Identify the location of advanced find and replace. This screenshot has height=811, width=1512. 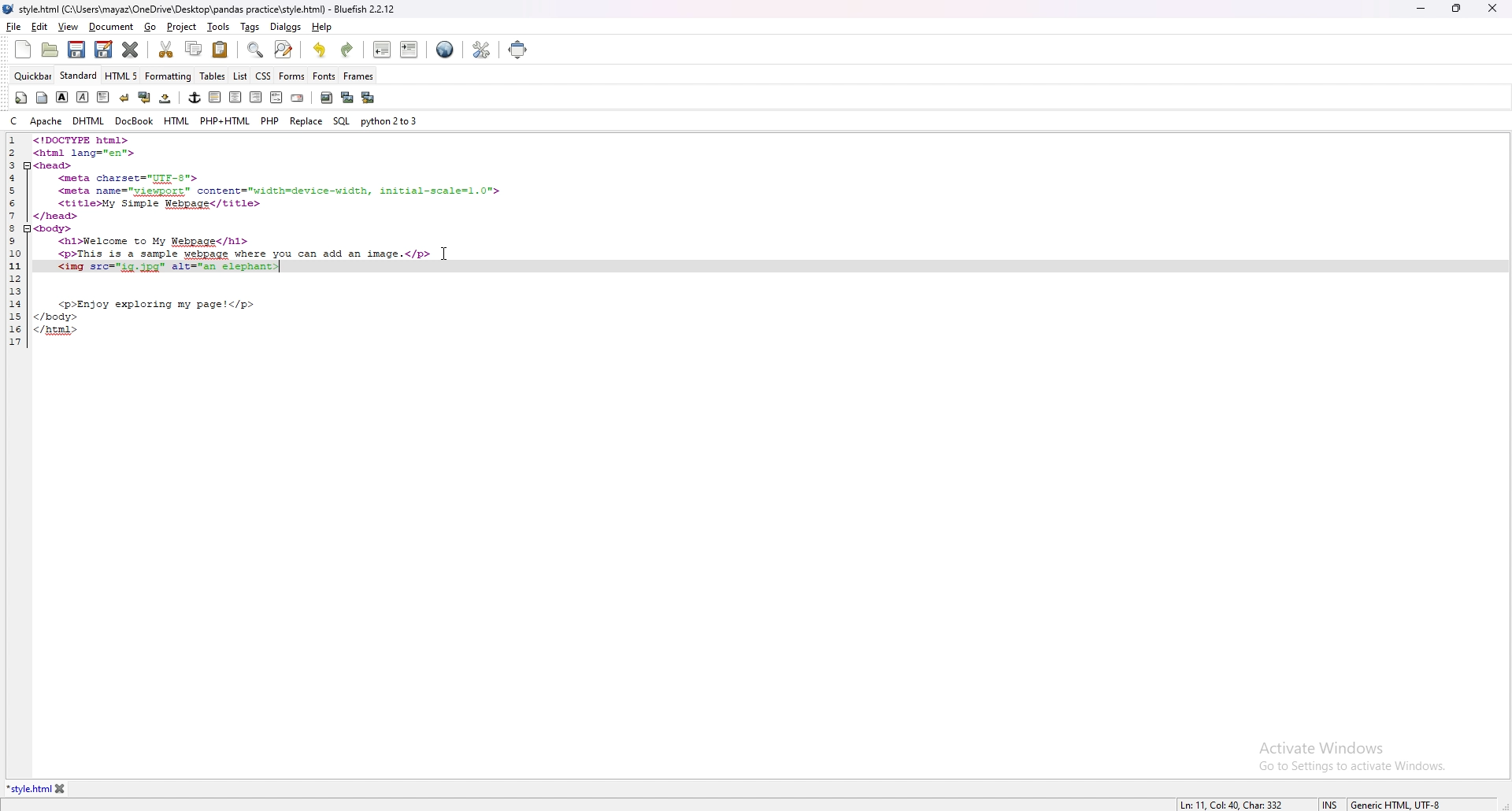
(284, 50).